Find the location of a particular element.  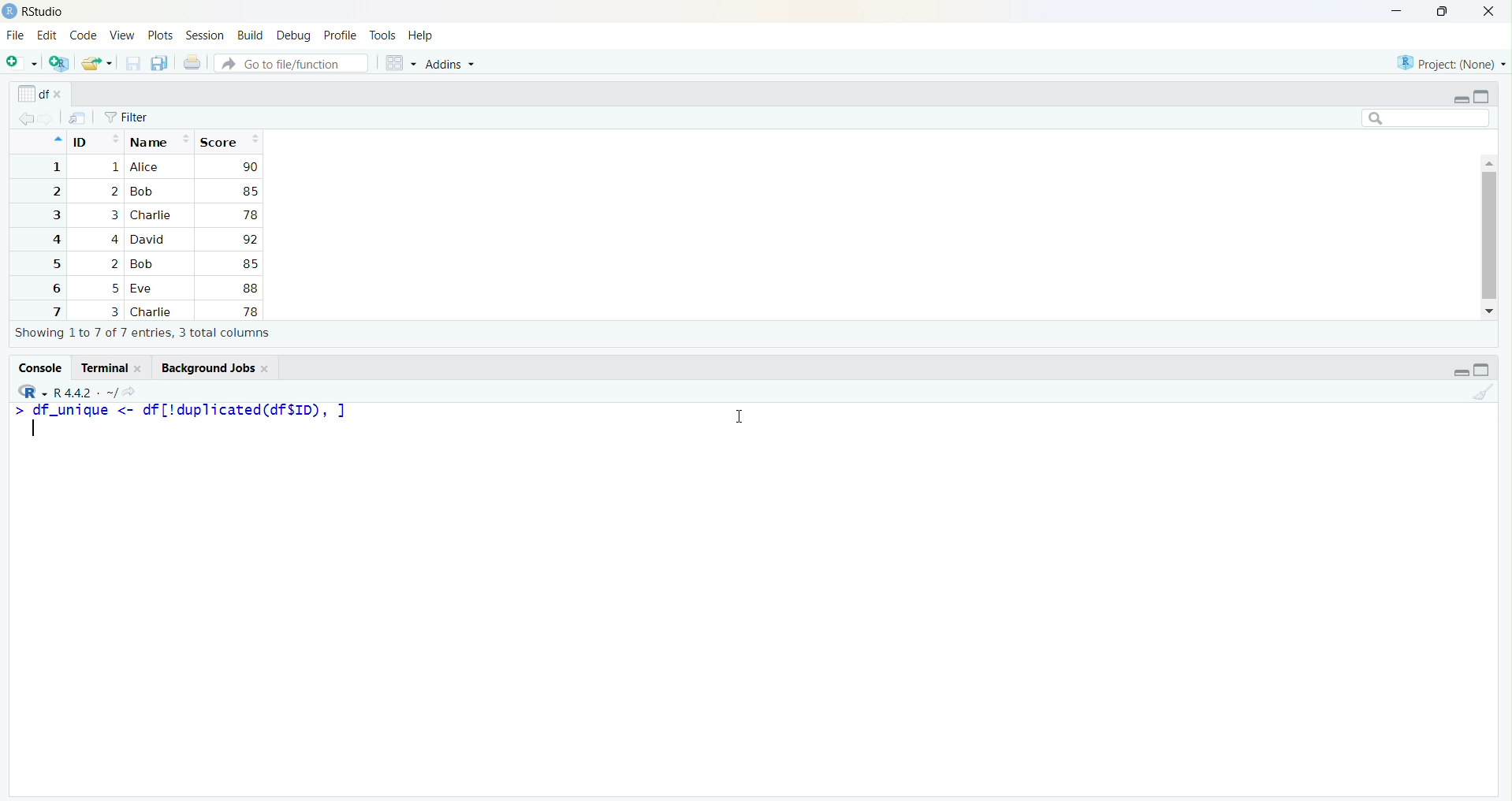

close is located at coordinates (141, 368).